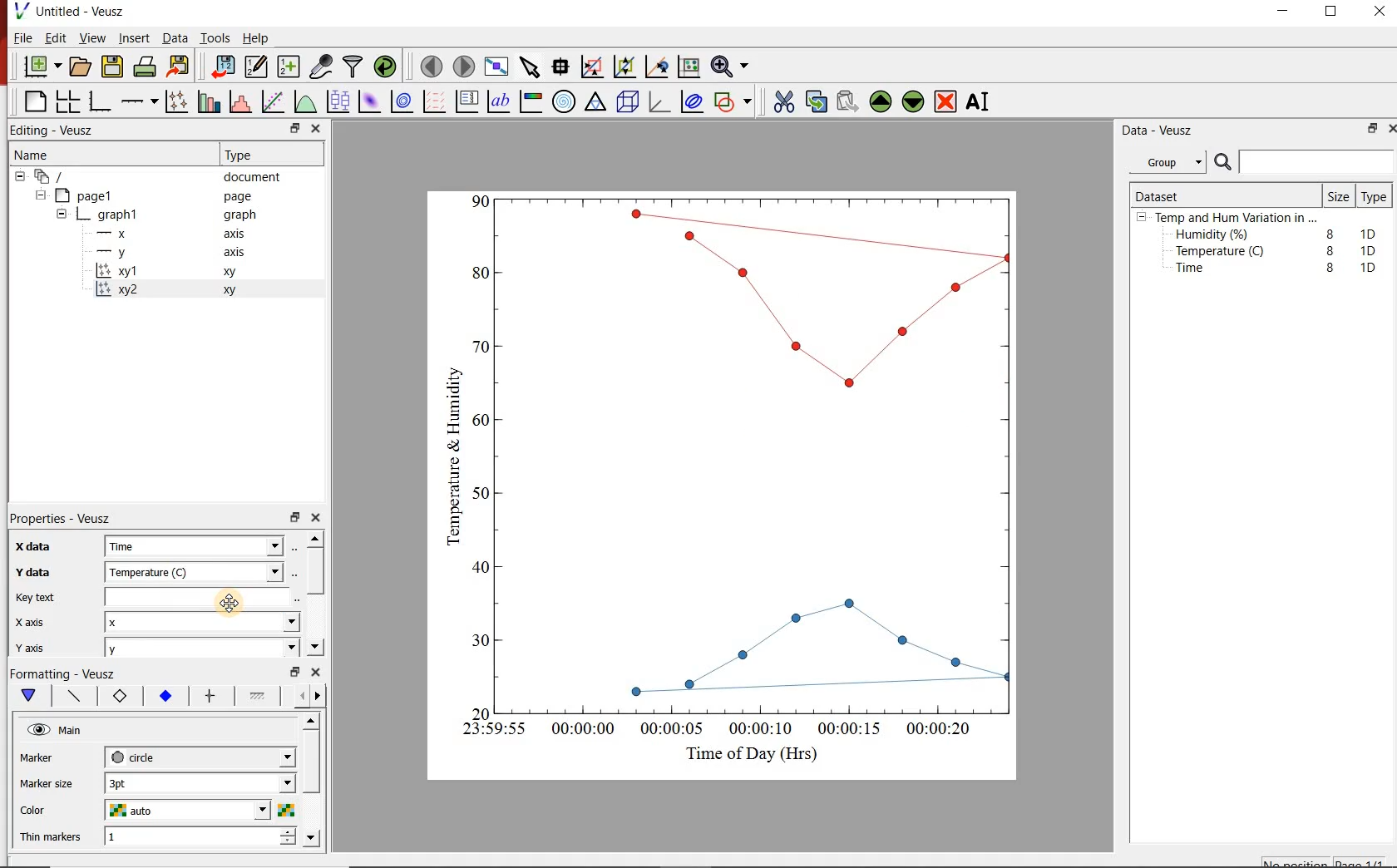 The height and width of the screenshot is (868, 1397). What do you see at coordinates (144, 599) in the screenshot?
I see `Key text` at bounding box center [144, 599].